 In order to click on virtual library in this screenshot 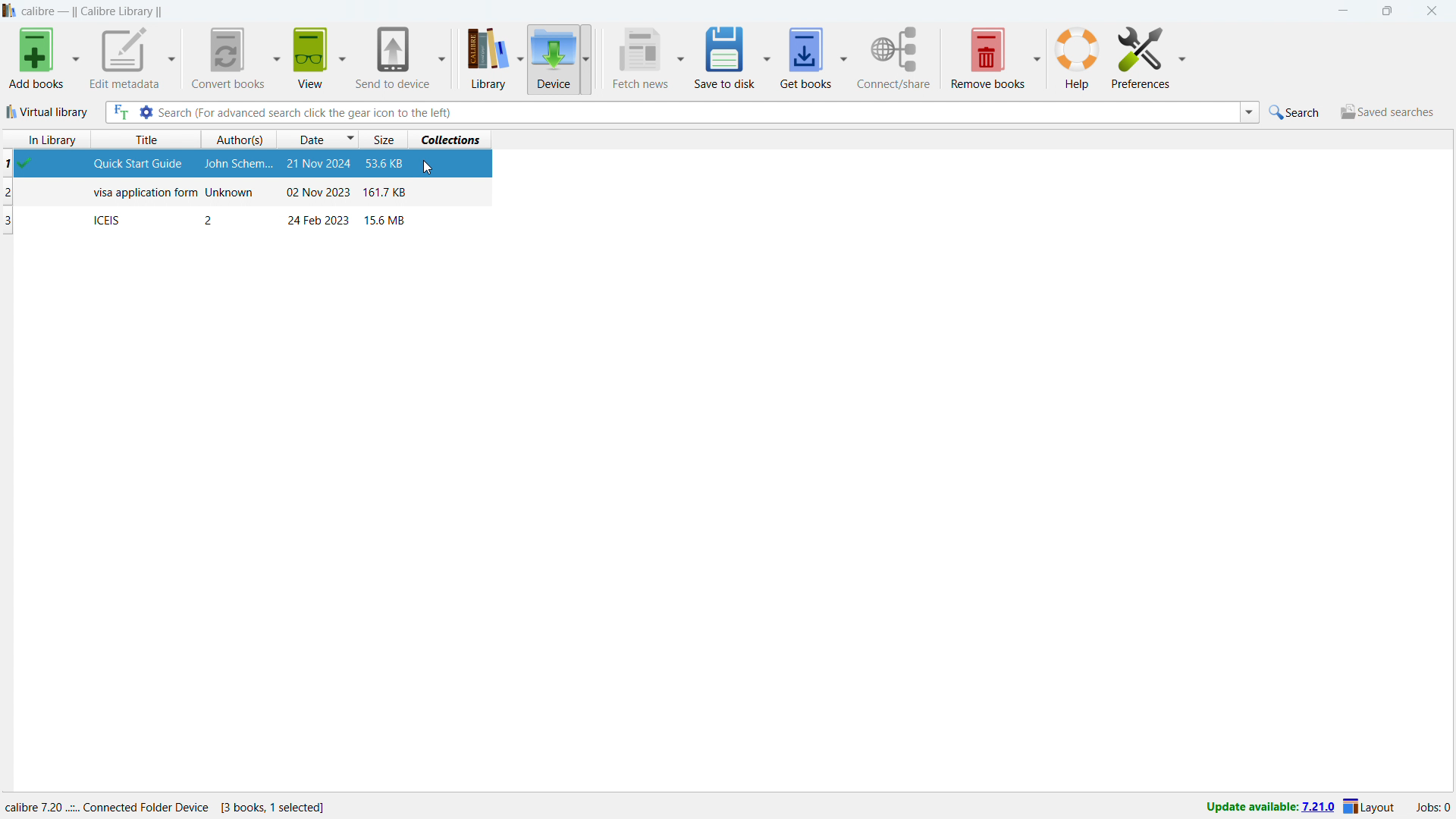, I will do `click(48, 111)`.